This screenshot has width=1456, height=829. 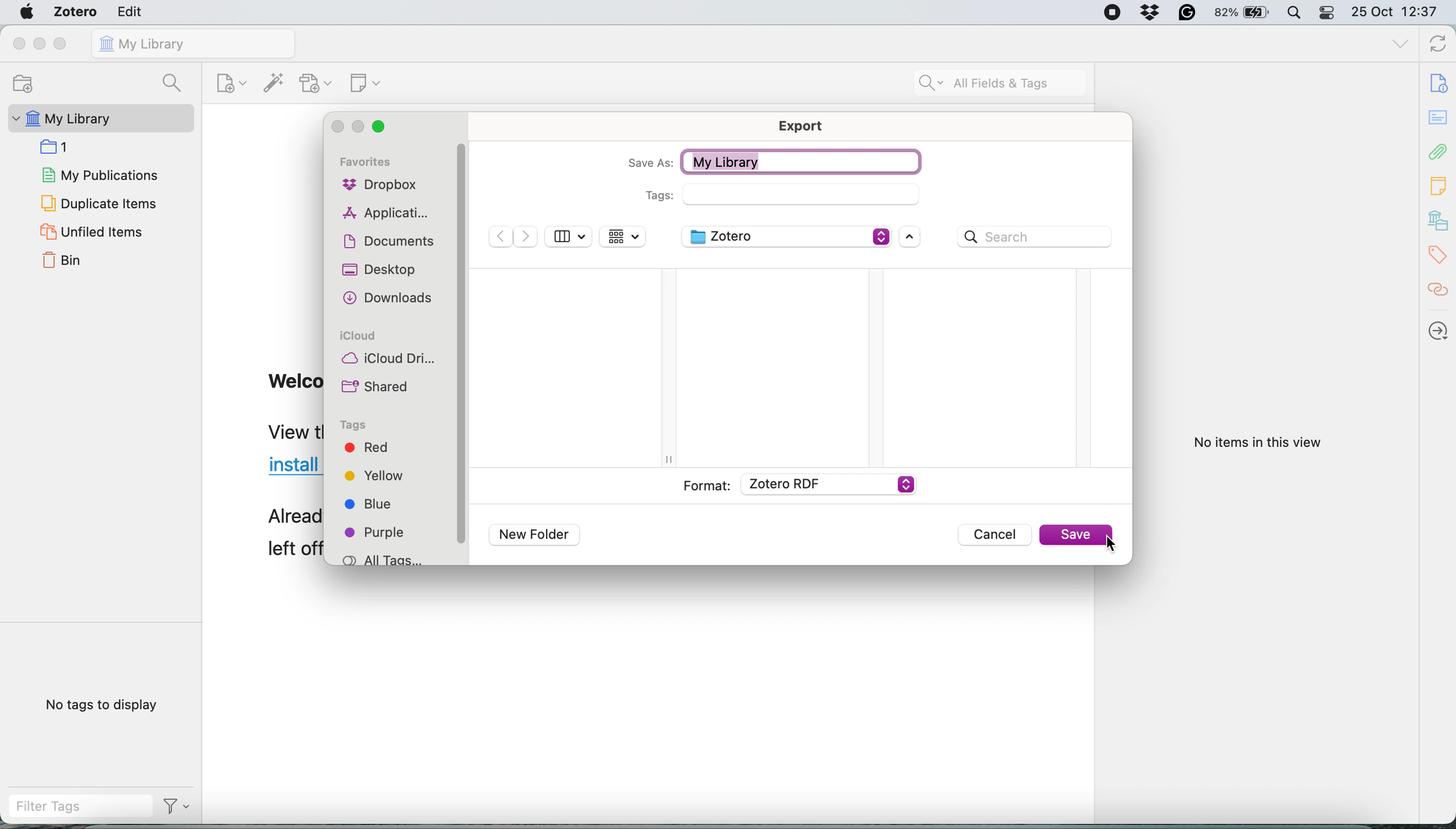 What do you see at coordinates (63, 44) in the screenshot?
I see `maximise` at bounding box center [63, 44].